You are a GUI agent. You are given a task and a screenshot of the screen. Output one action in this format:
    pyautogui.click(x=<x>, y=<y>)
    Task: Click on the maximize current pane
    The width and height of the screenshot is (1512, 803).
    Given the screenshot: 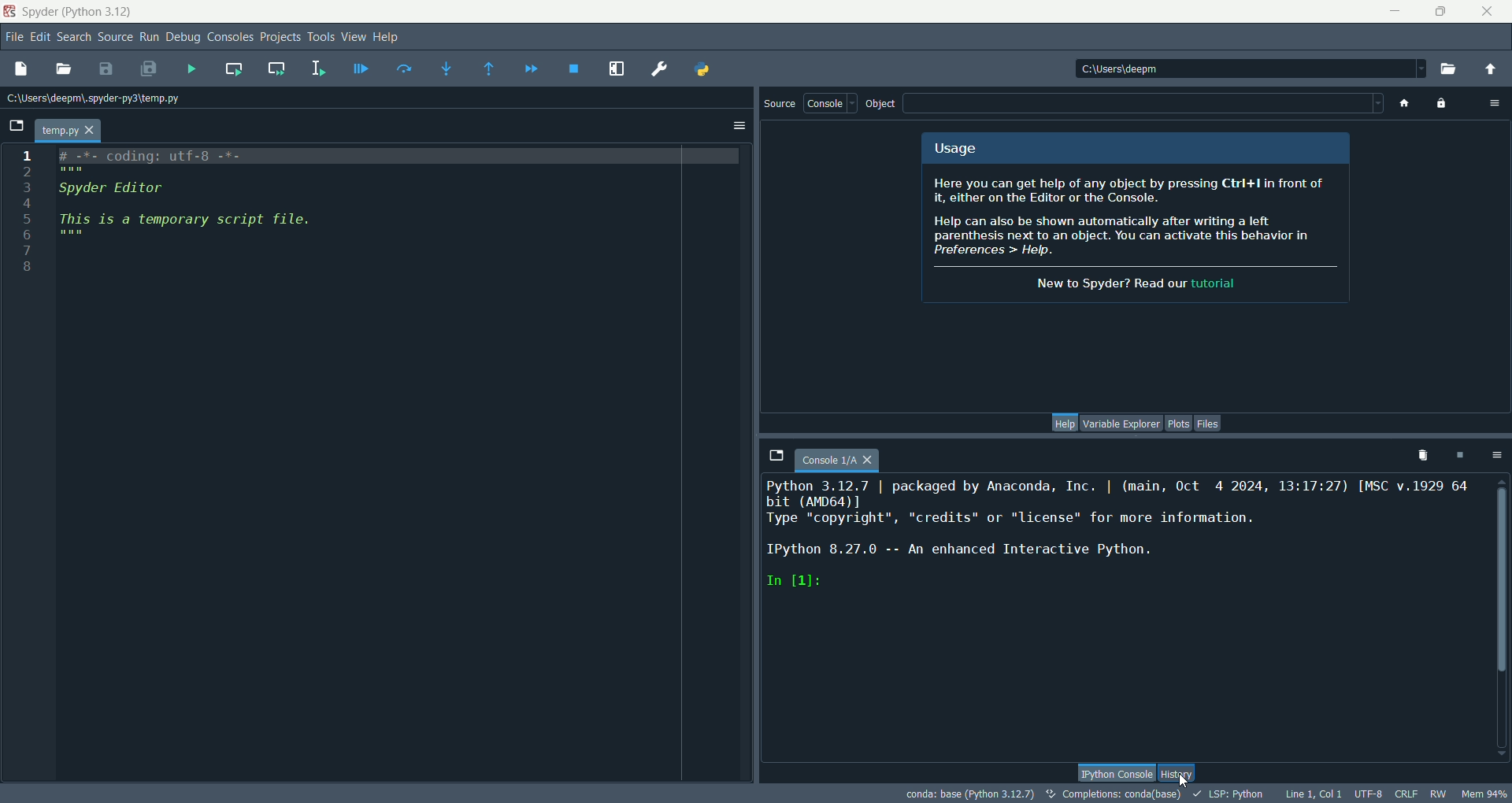 What is the action you would take?
    pyautogui.click(x=617, y=67)
    